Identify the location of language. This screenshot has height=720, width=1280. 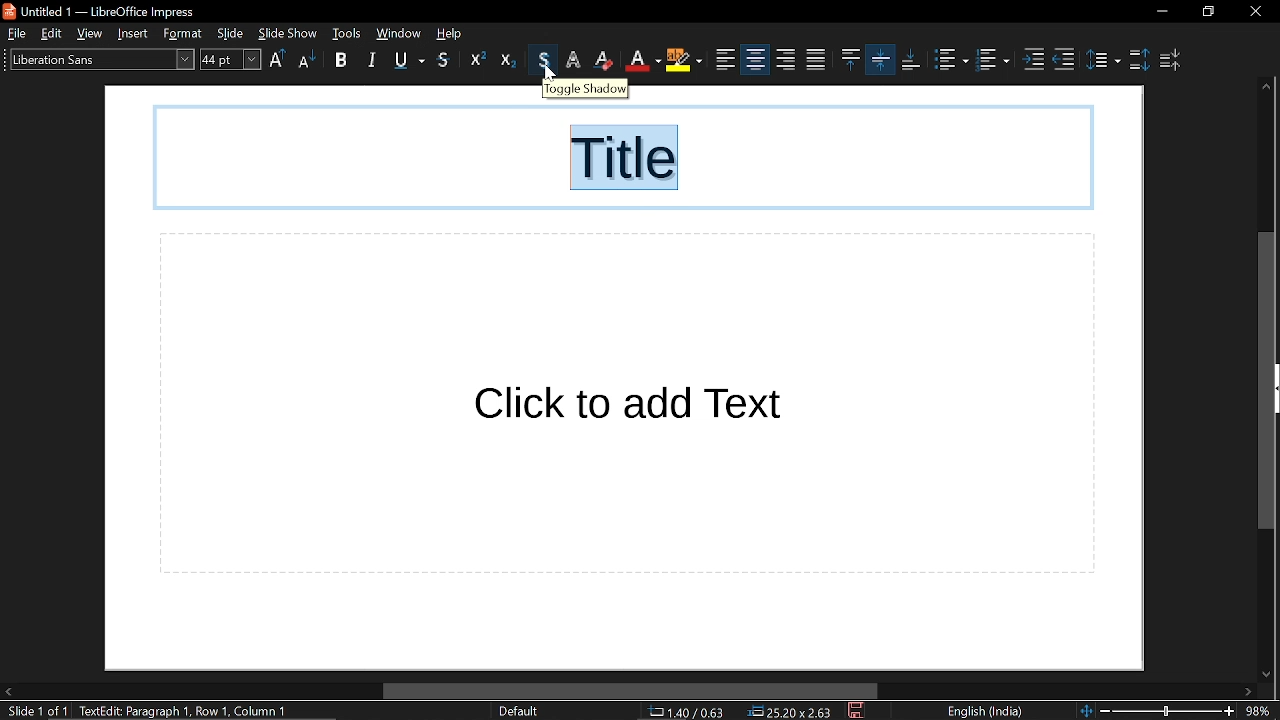
(983, 712).